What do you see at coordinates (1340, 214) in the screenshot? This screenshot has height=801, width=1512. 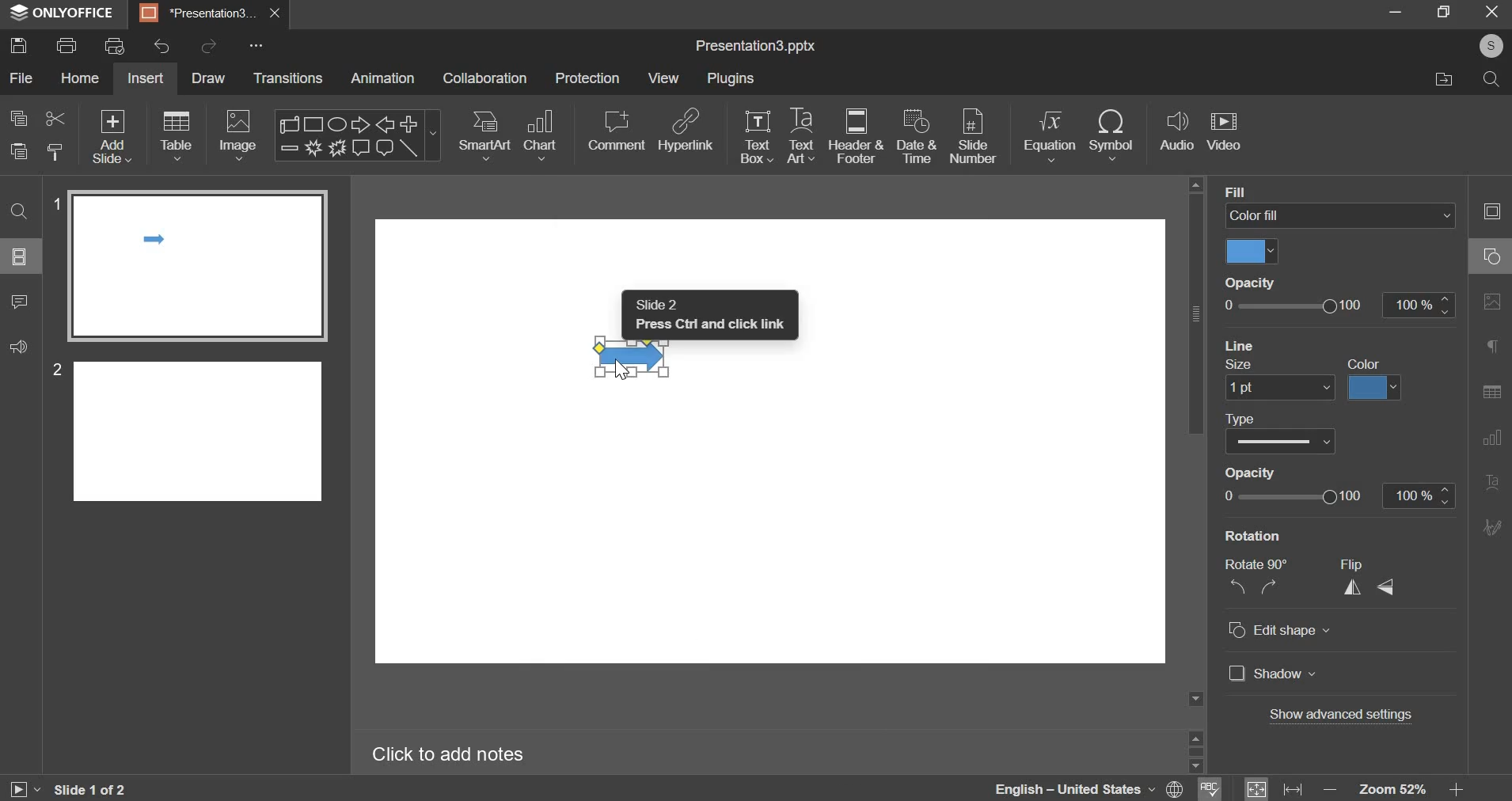 I see `color fill` at bounding box center [1340, 214].